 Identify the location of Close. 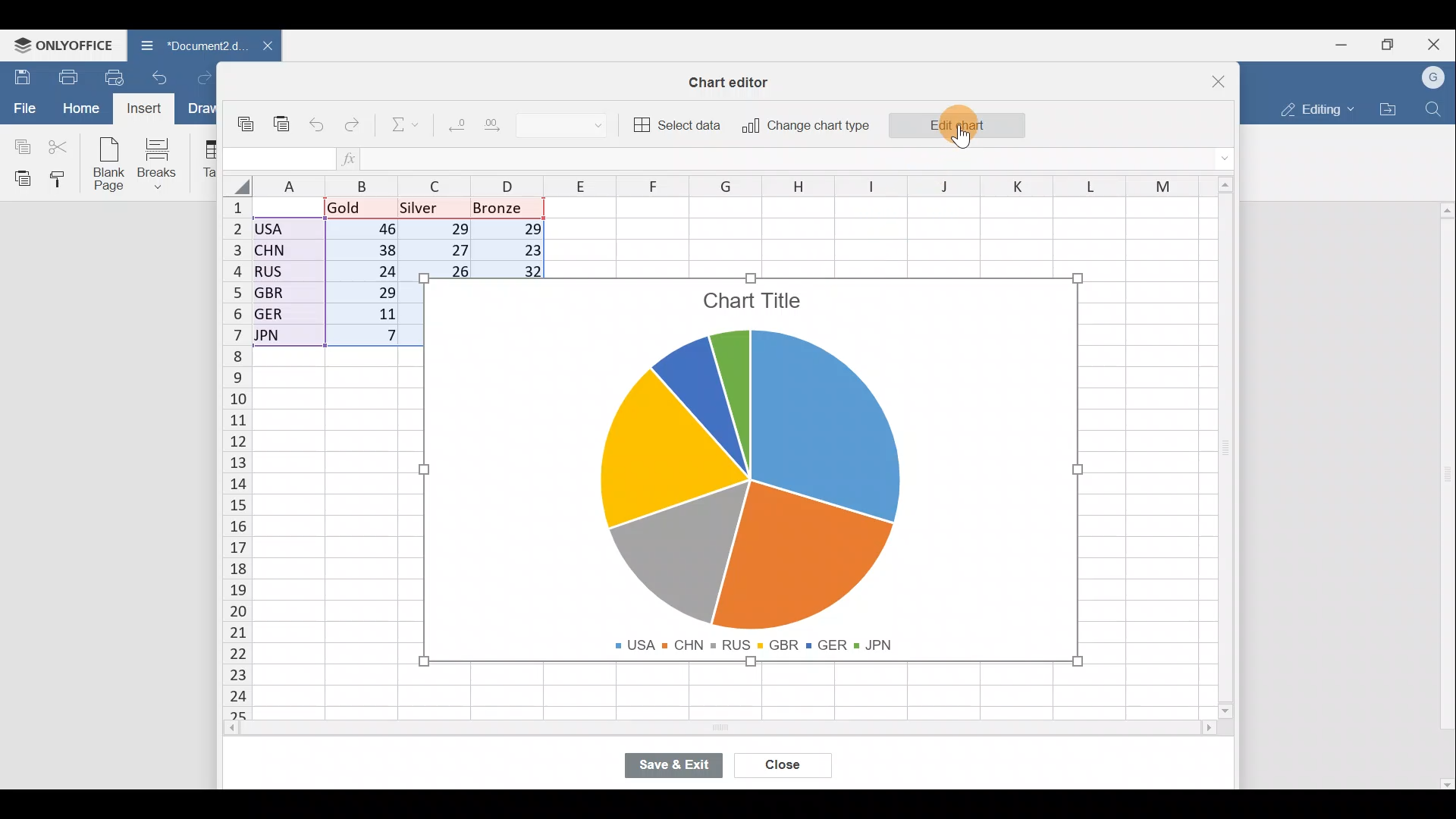
(1221, 80).